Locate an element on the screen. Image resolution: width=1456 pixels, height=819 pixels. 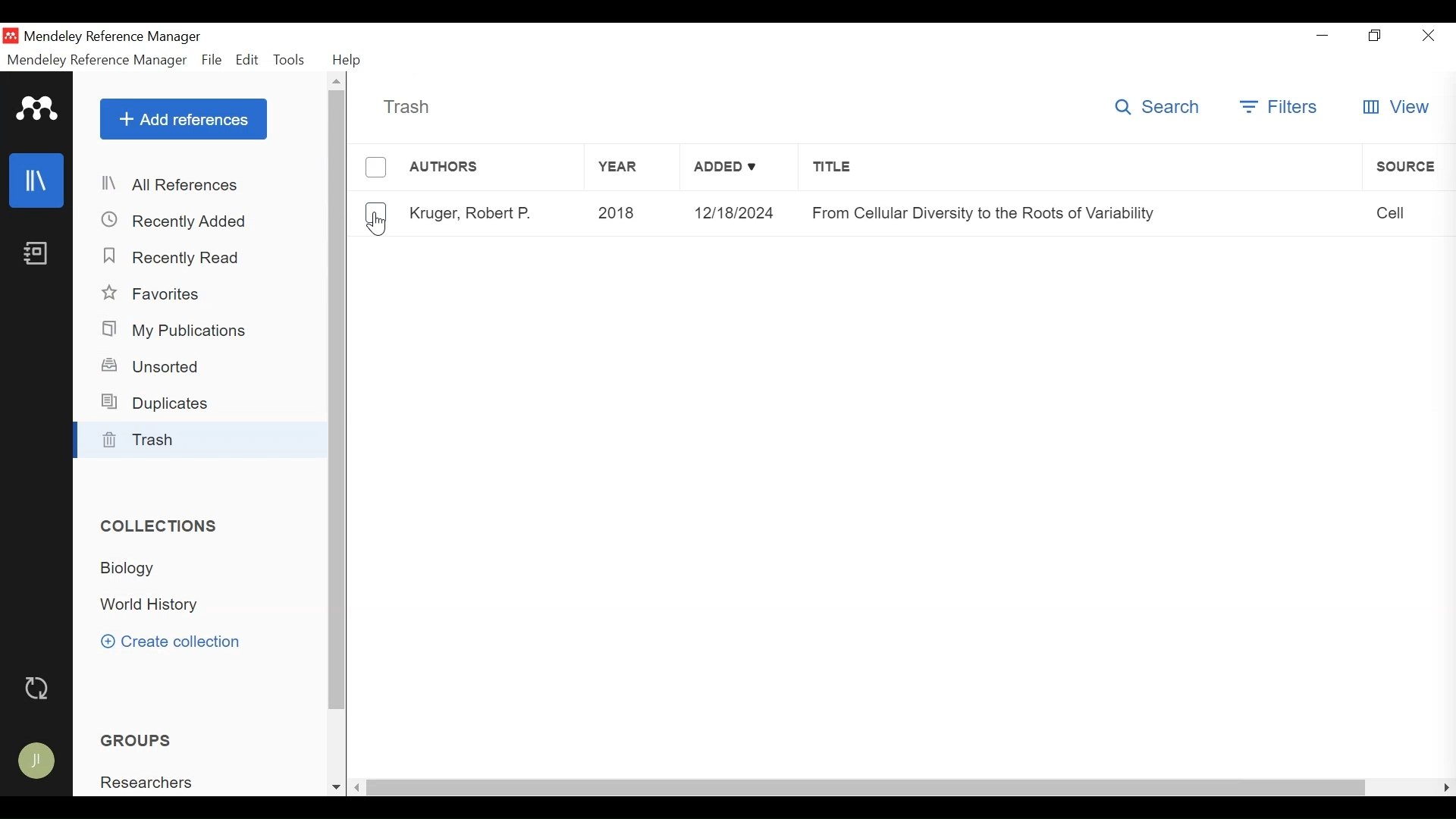
Duplicates is located at coordinates (161, 403).